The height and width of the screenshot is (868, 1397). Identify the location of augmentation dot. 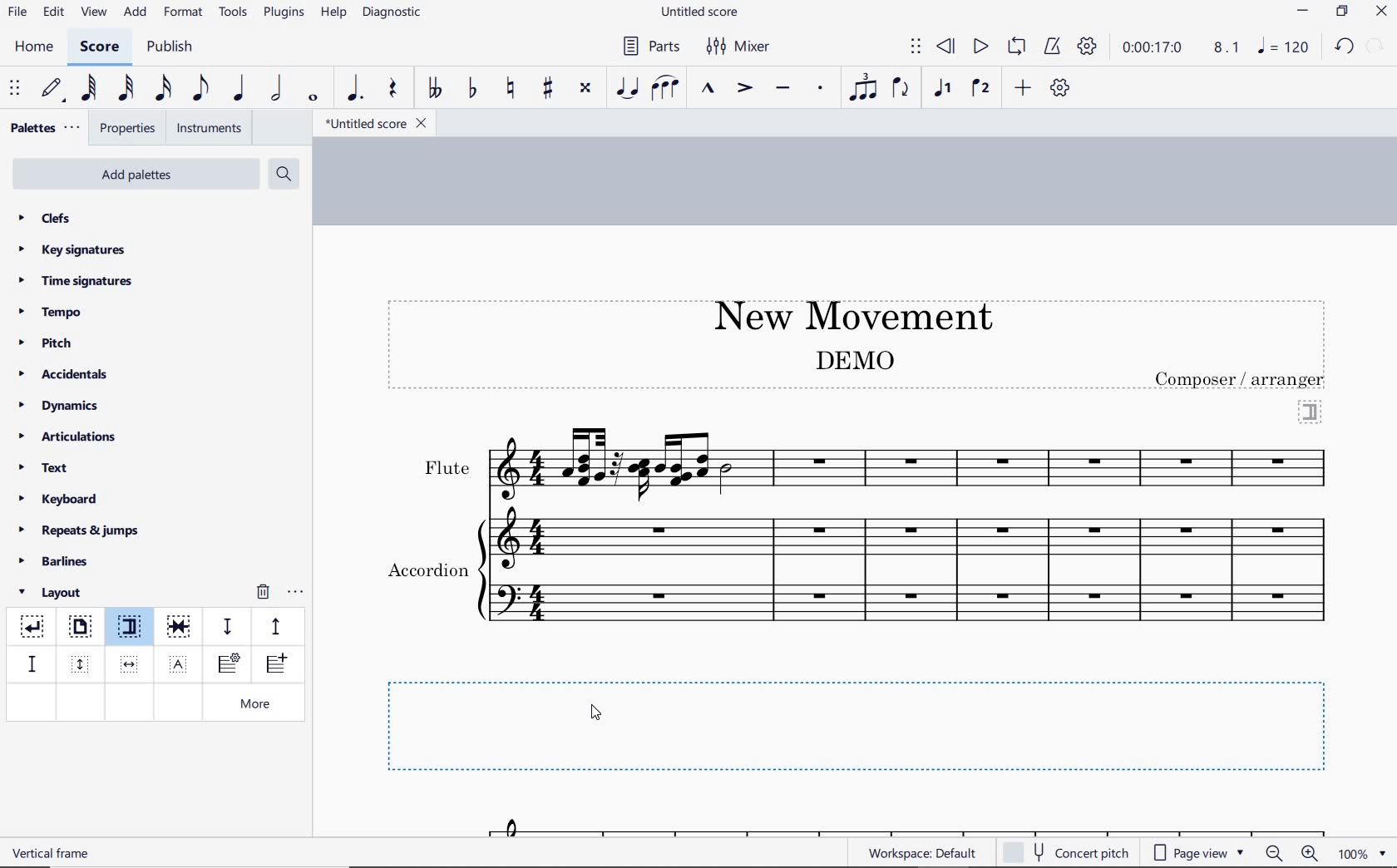
(353, 89).